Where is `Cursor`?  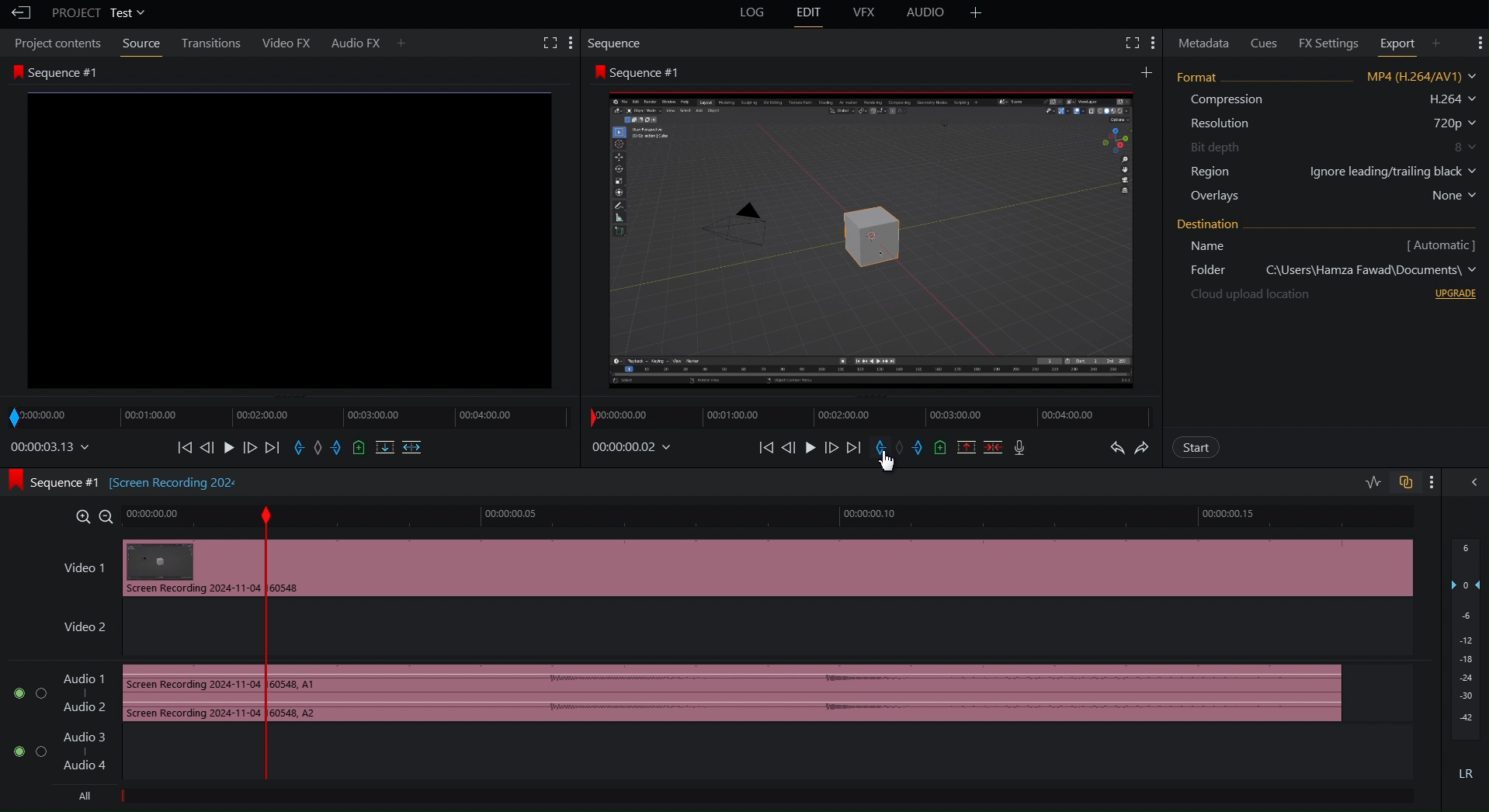 Cursor is located at coordinates (884, 463).